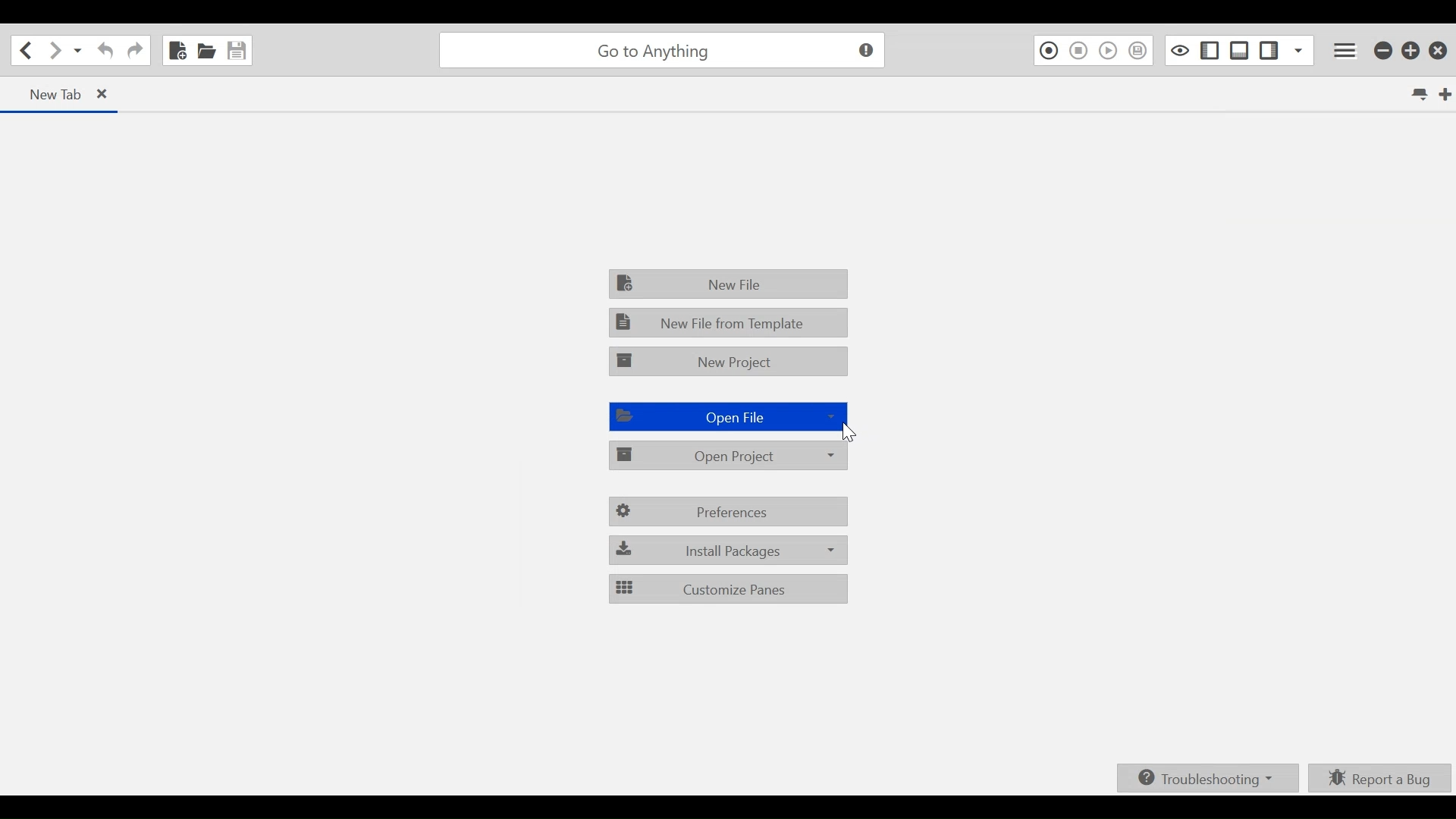 The width and height of the screenshot is (1456, 819). What do you see at coordinates (1079, 51) in the screenshot?
I see `Stop Recording Macro` at bounding box center [1079, 51].